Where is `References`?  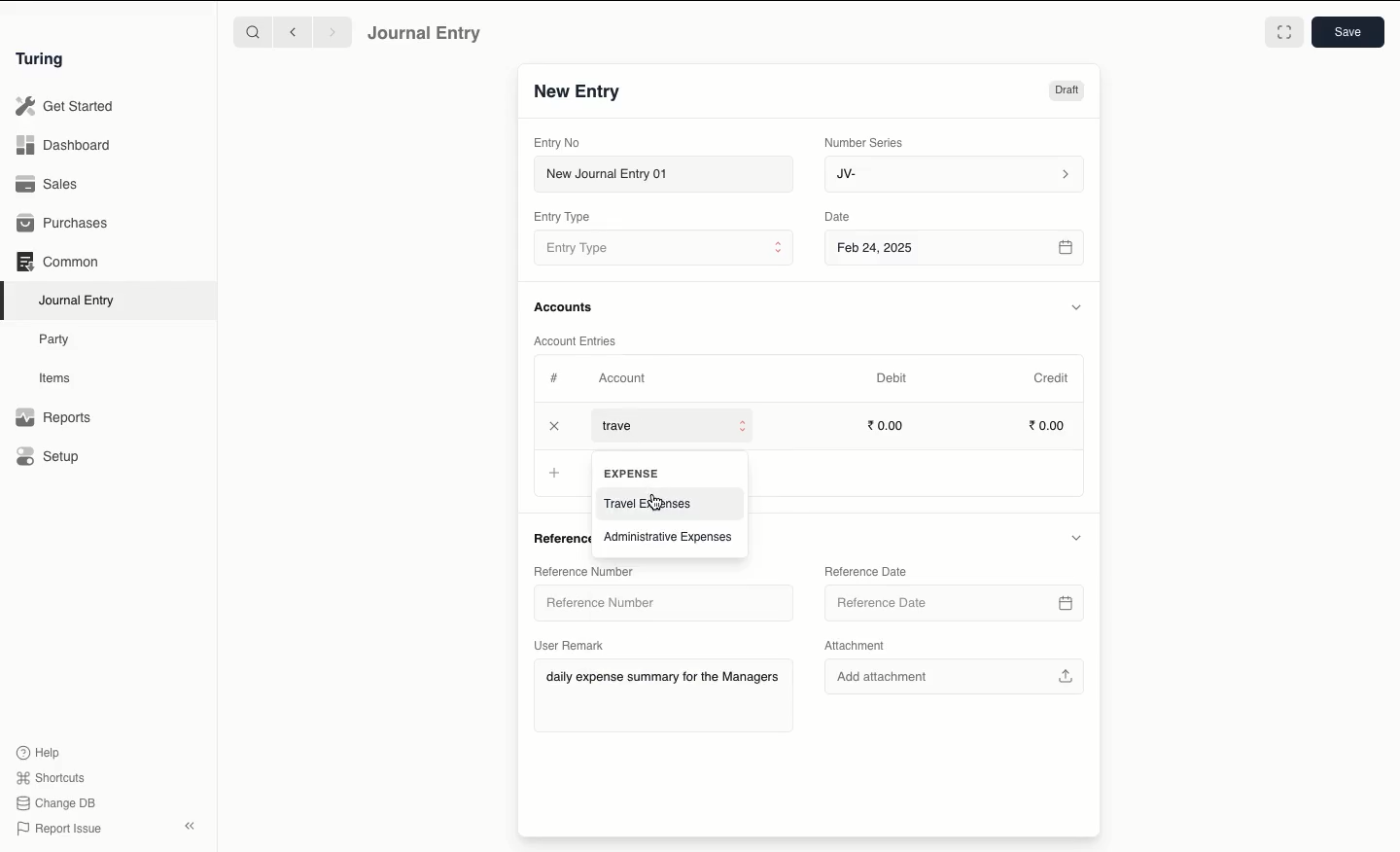 References is located at coordinates (559, 538).